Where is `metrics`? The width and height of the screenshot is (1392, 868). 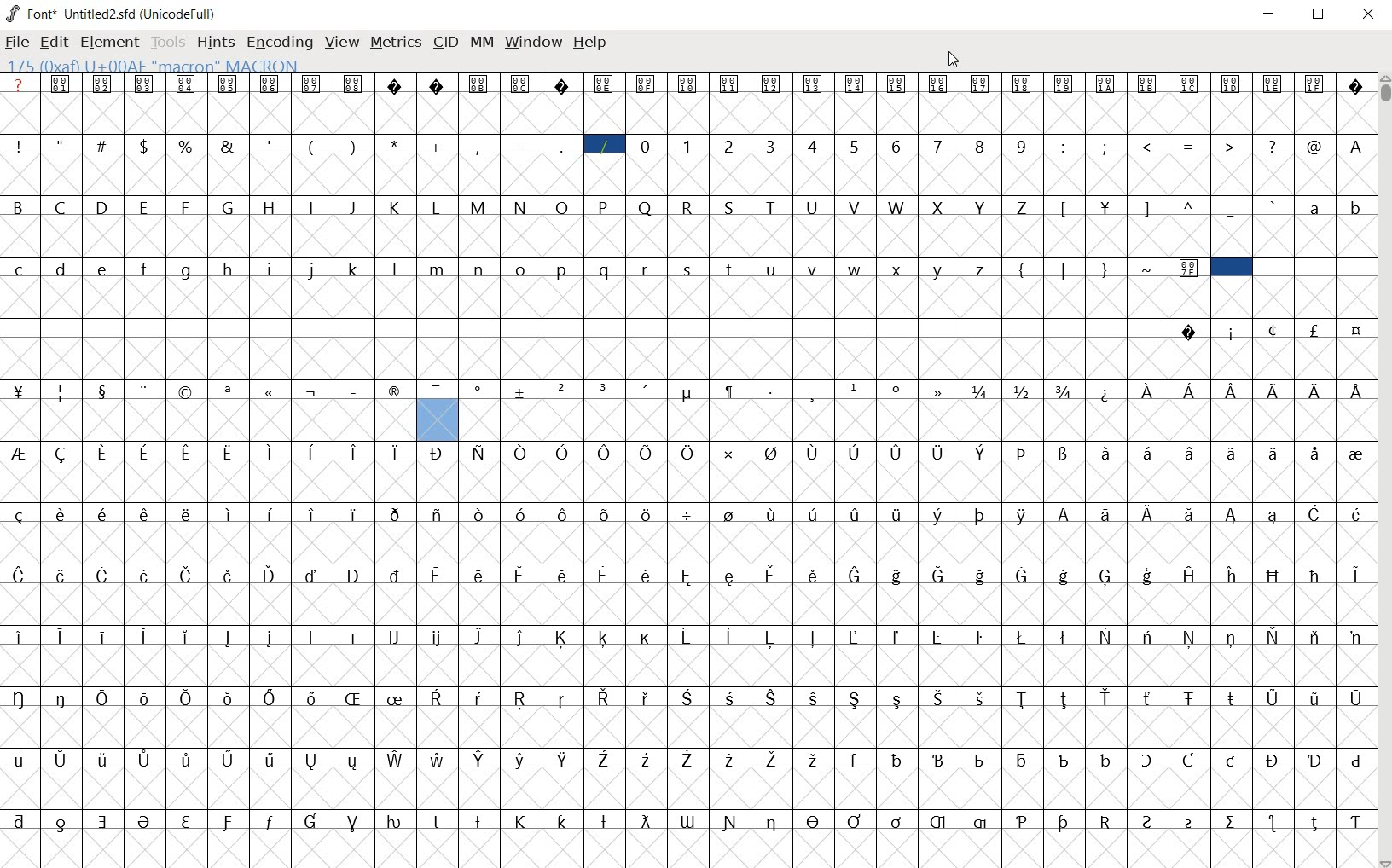 metrics is located at coordinates (397, 42).